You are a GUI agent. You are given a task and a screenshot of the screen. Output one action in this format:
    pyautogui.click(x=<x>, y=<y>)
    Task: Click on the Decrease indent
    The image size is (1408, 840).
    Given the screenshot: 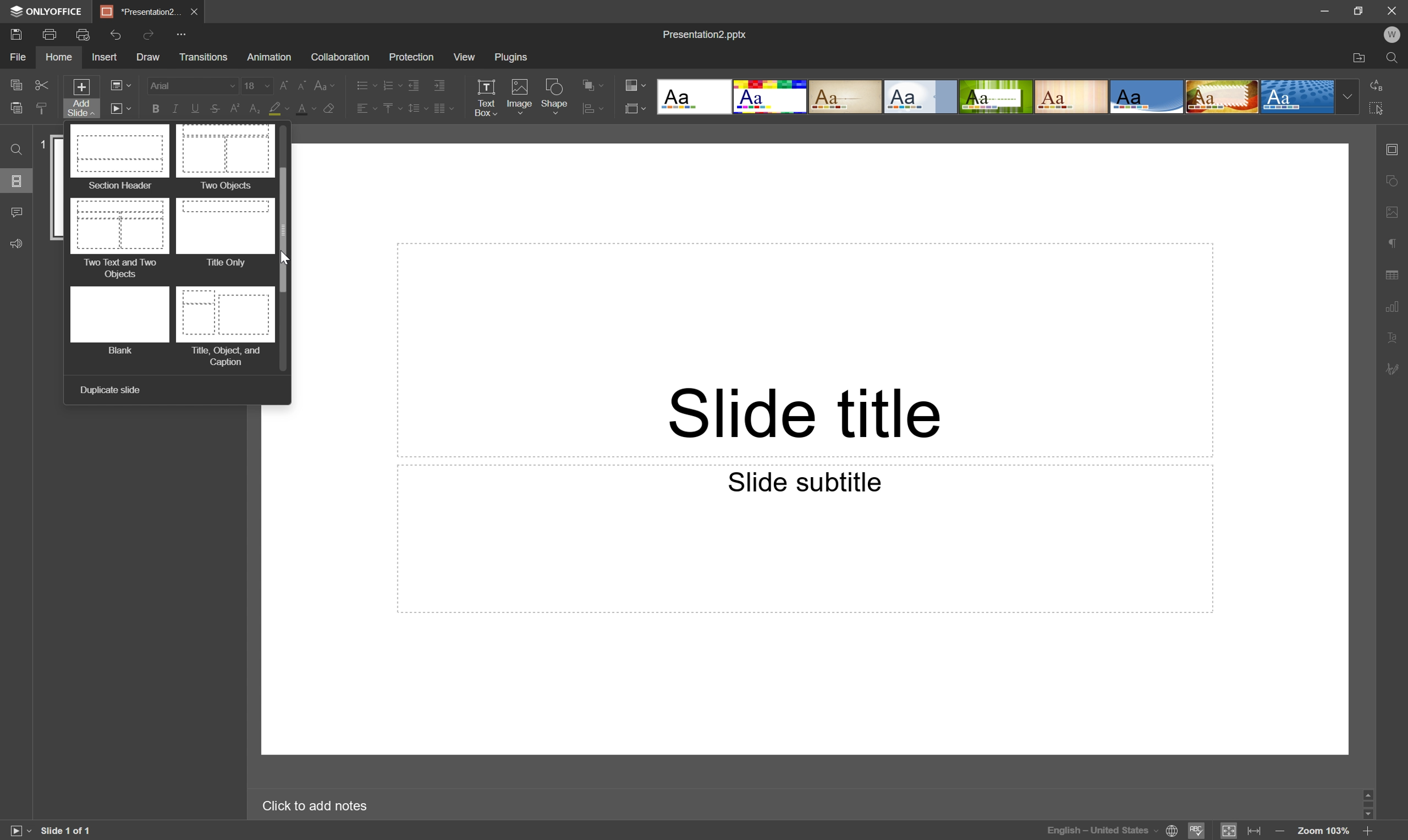 What is the action you would take?
    pyautogui.click(x=414, y=82)
    